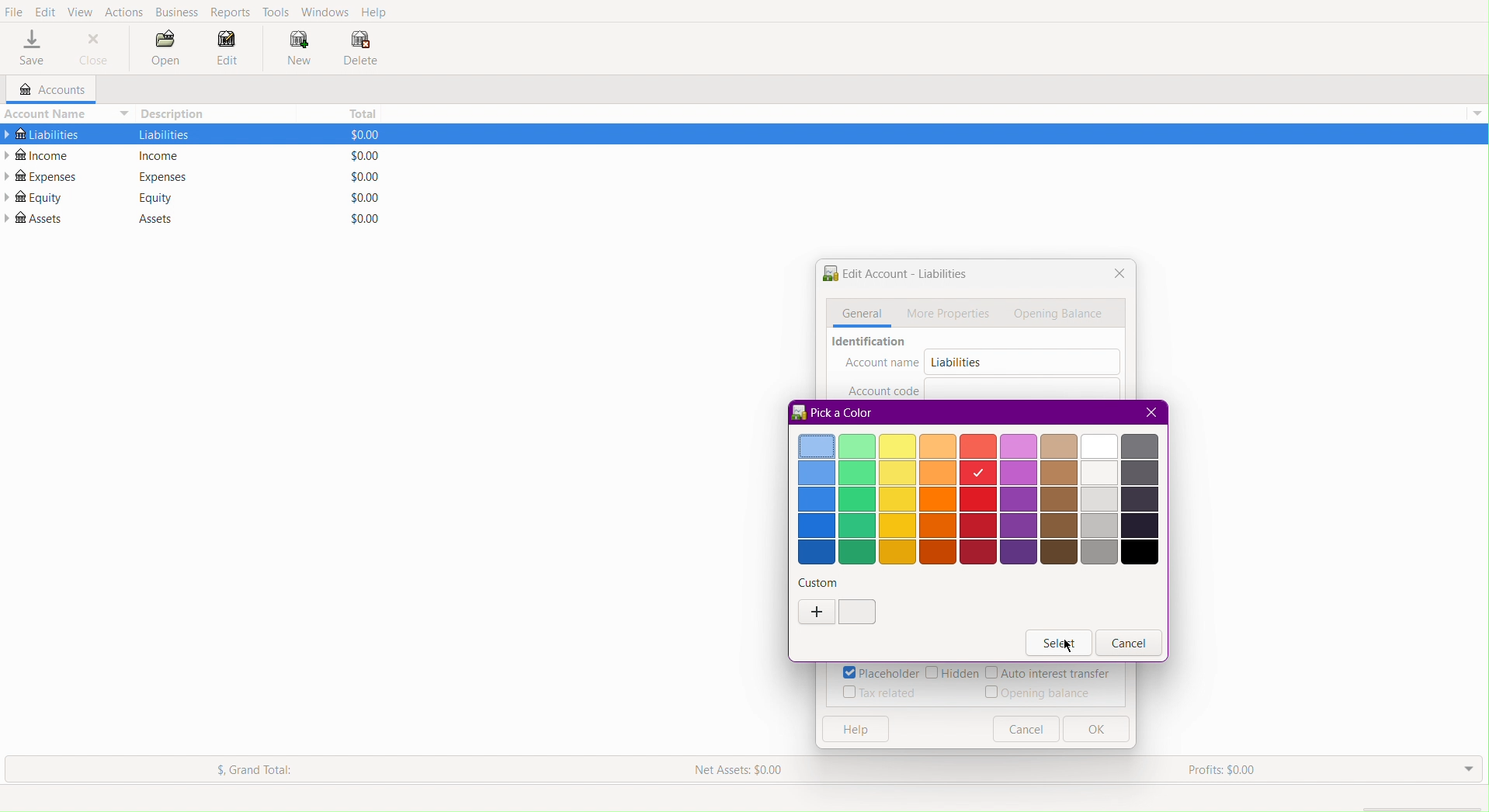 This screenshot has height=812, width=1489. Describe the element at coordinates (1116, 275) in the screenshot. I see `Close` at that location.